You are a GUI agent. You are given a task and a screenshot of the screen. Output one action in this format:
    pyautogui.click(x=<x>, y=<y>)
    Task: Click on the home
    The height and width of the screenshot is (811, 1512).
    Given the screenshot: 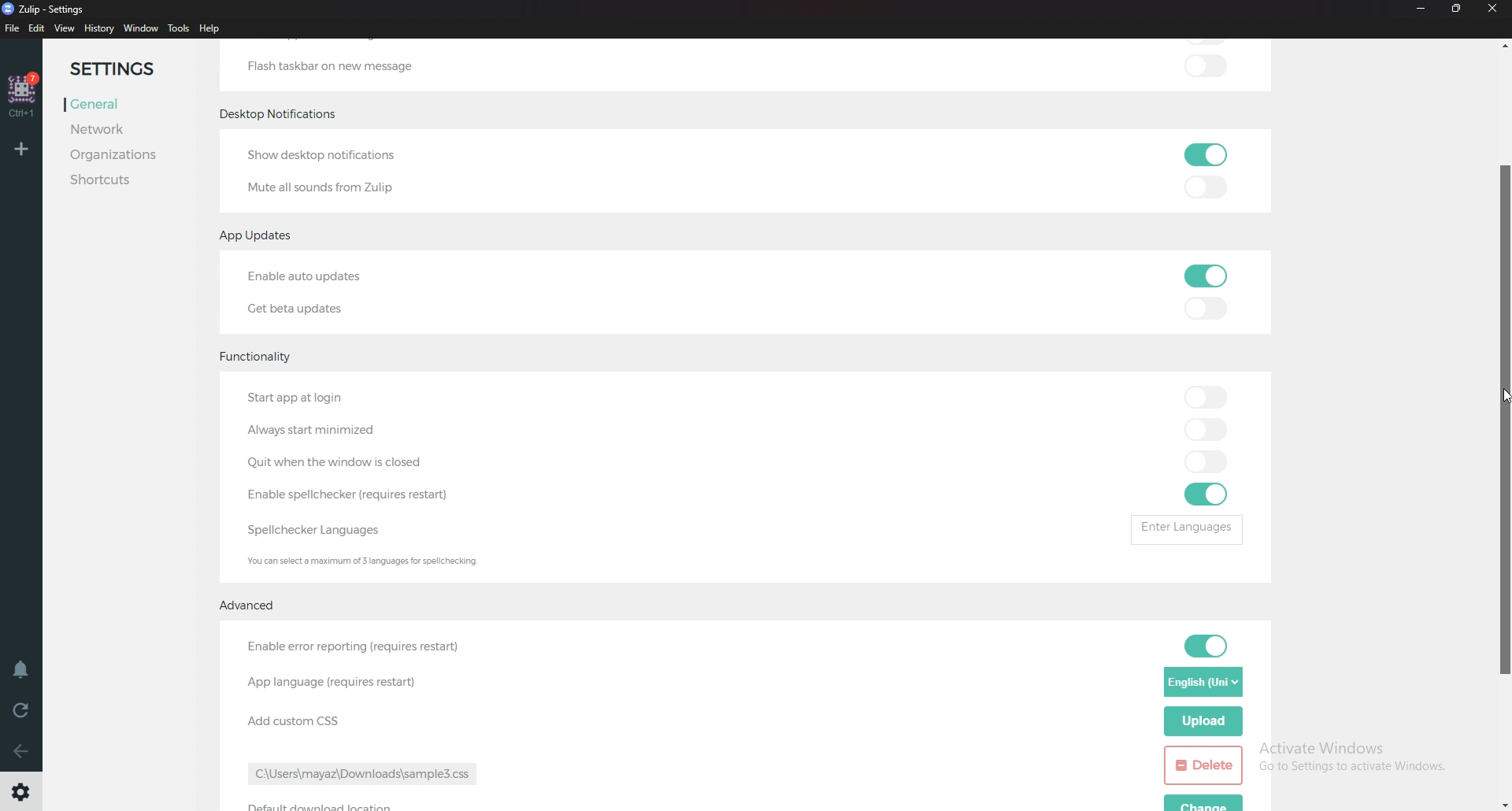 What is the action you would take?
    pyautogui.click(x=22, y=95)
    